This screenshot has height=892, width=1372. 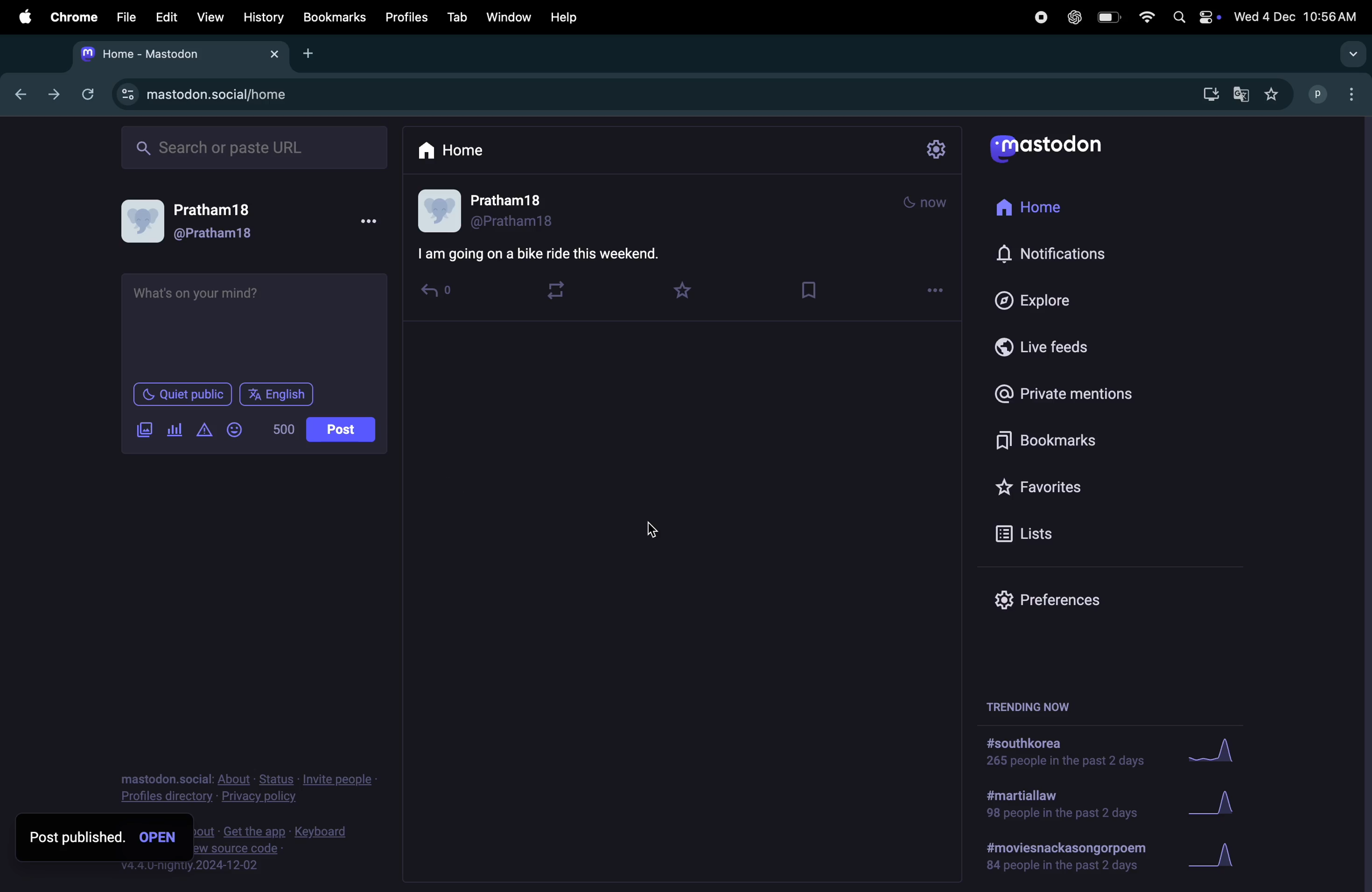 What do you see at coordinates (1058, 488) in the screenshot?
I see `favourites` at bounding box center [1058, 488].